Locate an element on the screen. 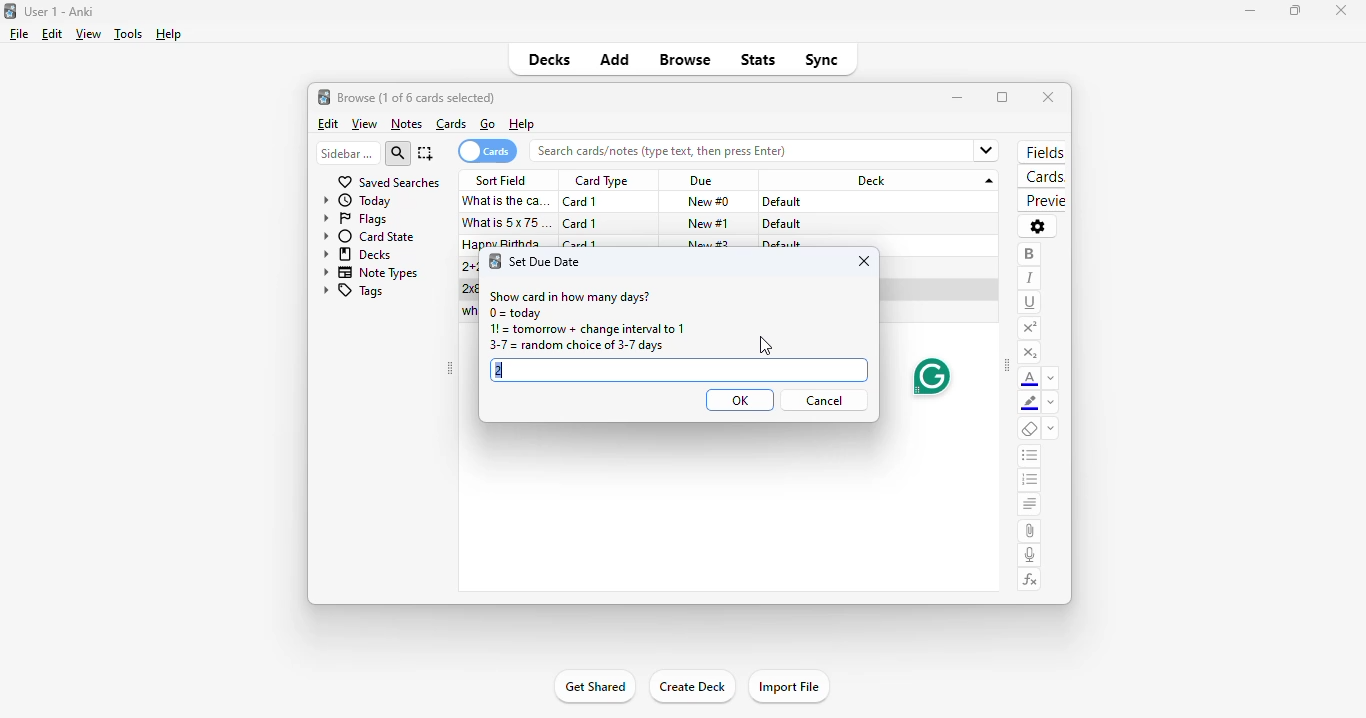  file is located at coordinates (19, 34).